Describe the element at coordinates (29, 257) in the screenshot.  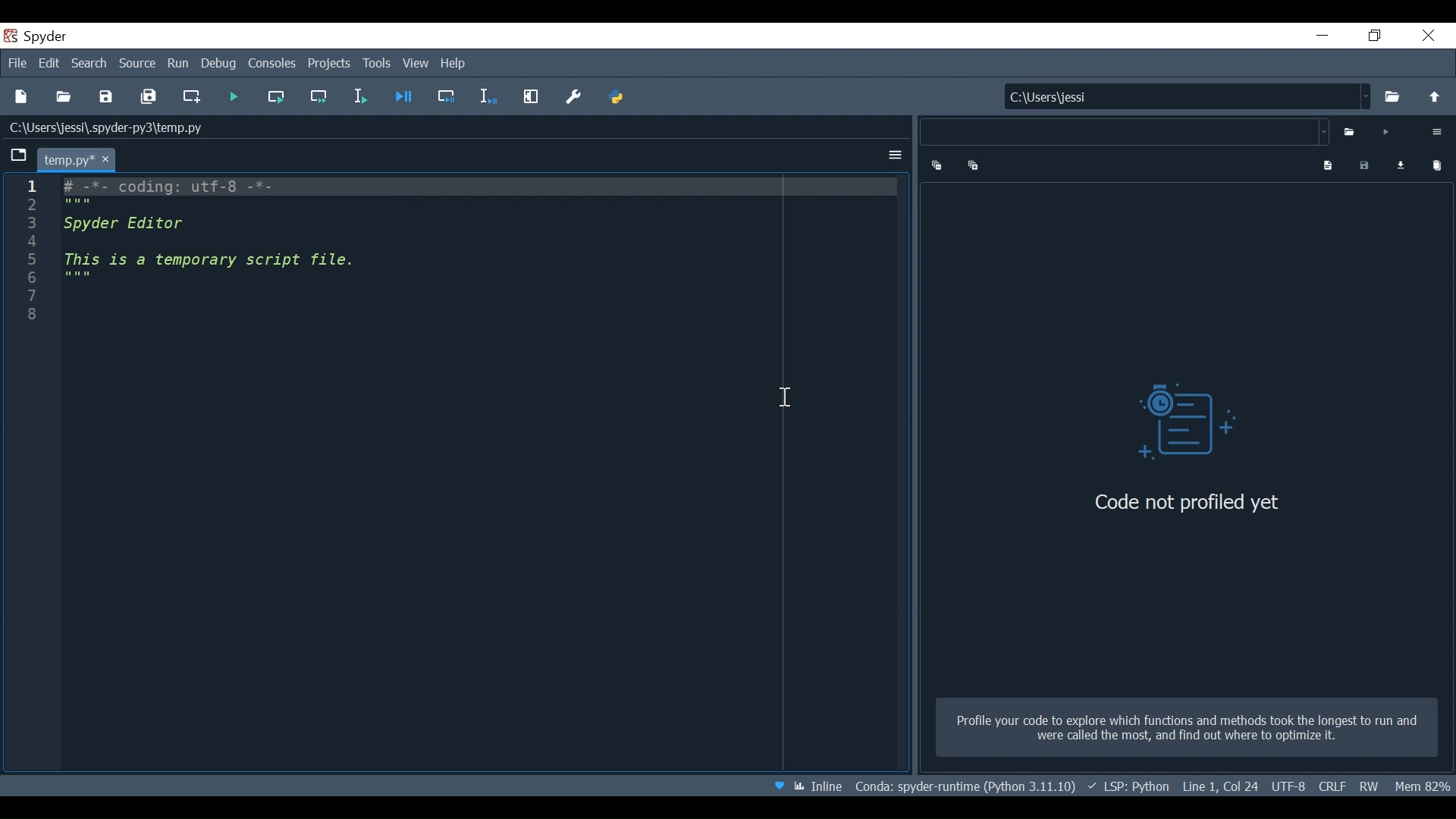
I see `Line column` at that location.